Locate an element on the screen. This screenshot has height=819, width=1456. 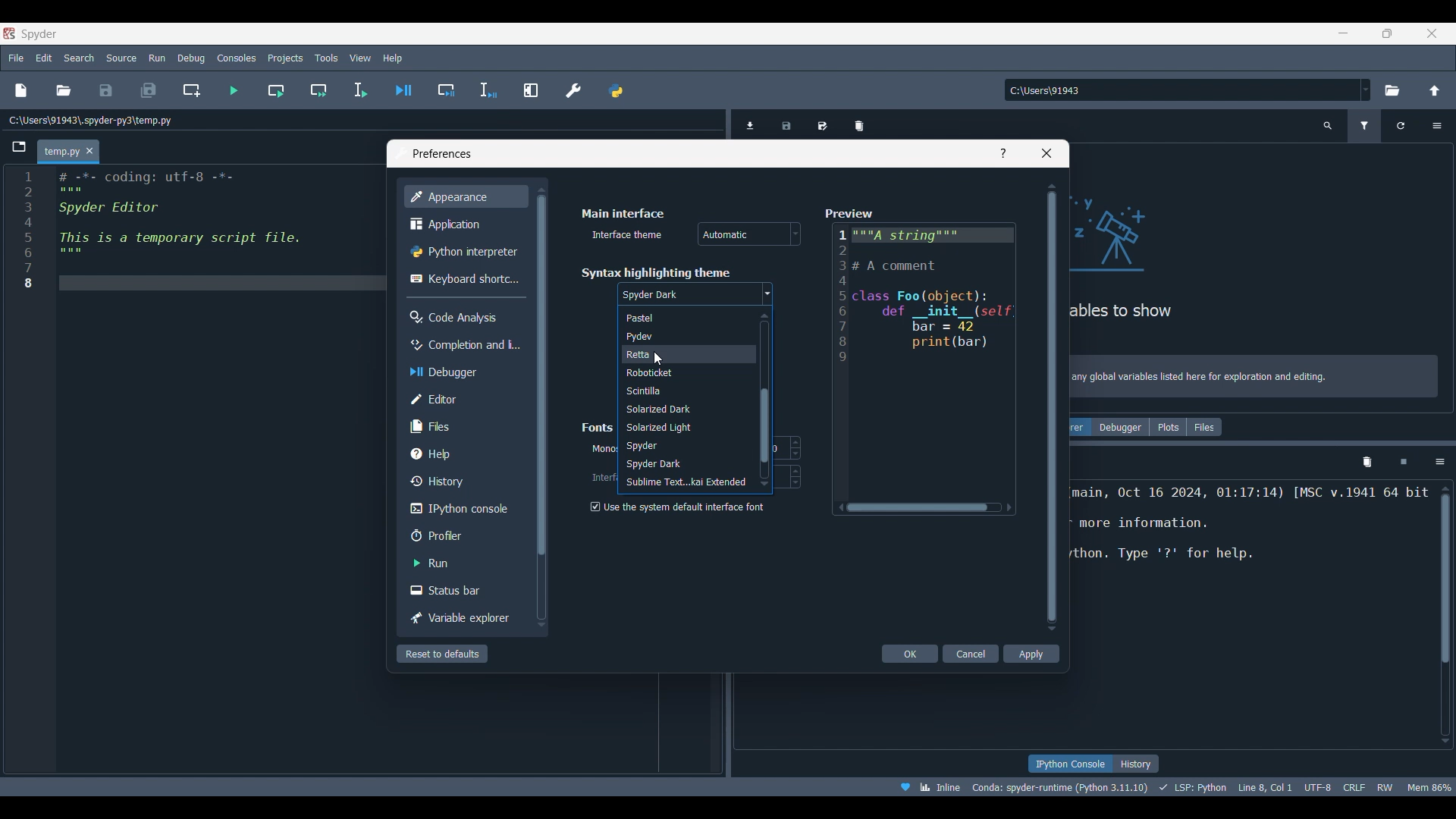
retta is located at coordinates (683, 355).